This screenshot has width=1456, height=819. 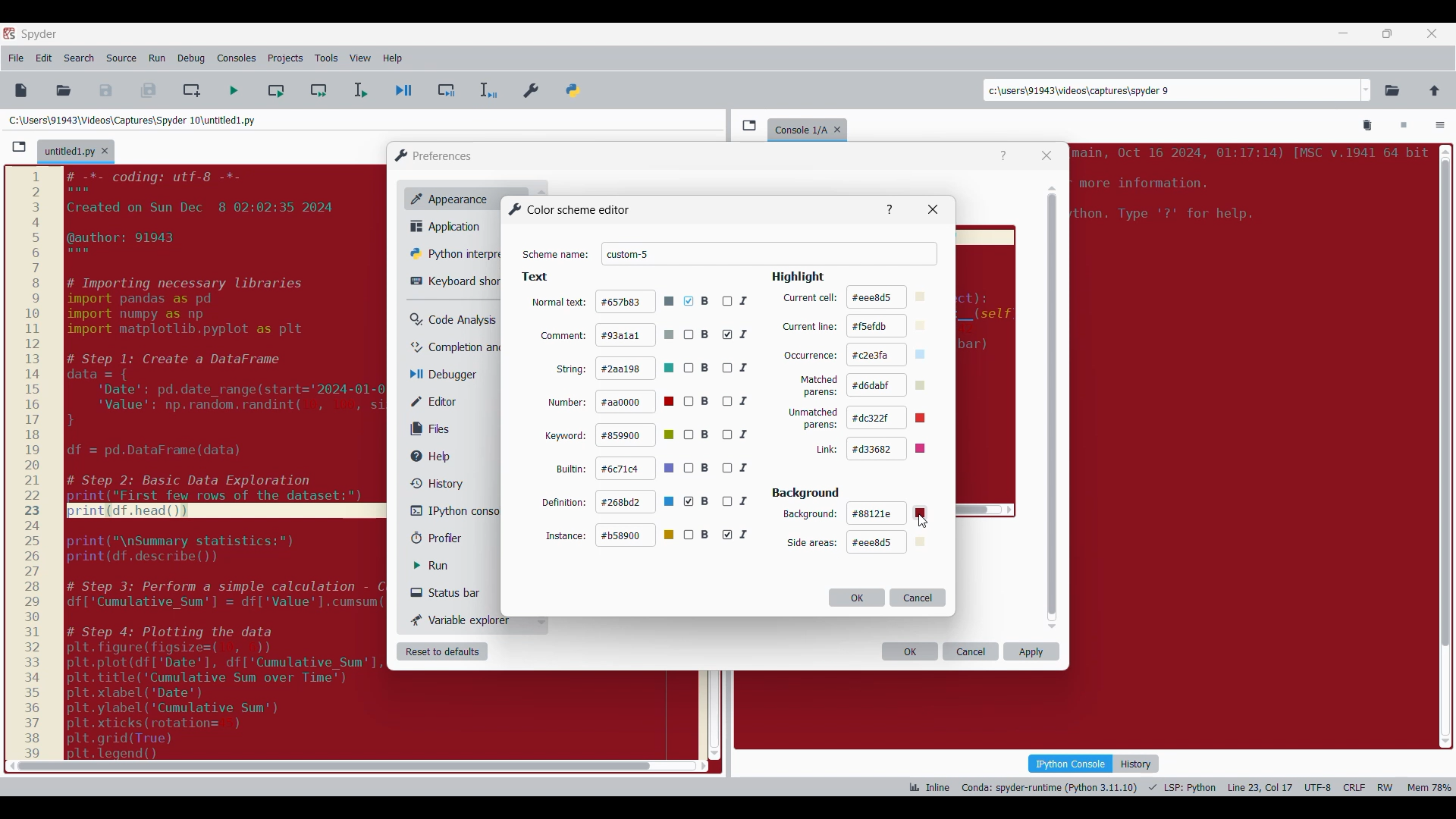 I want to click on Help, so click(x=1003, y=156).